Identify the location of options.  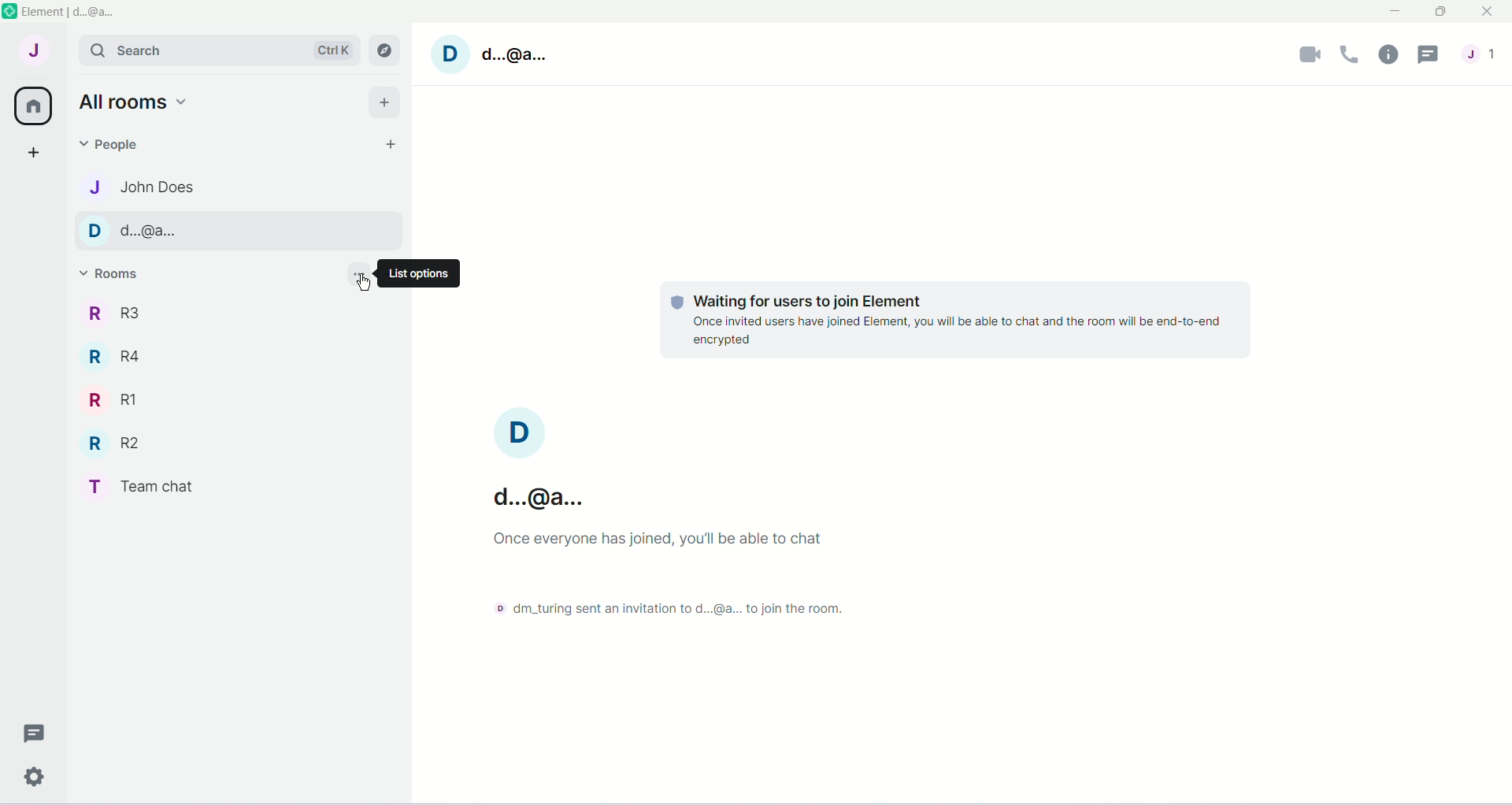
(356, 272).